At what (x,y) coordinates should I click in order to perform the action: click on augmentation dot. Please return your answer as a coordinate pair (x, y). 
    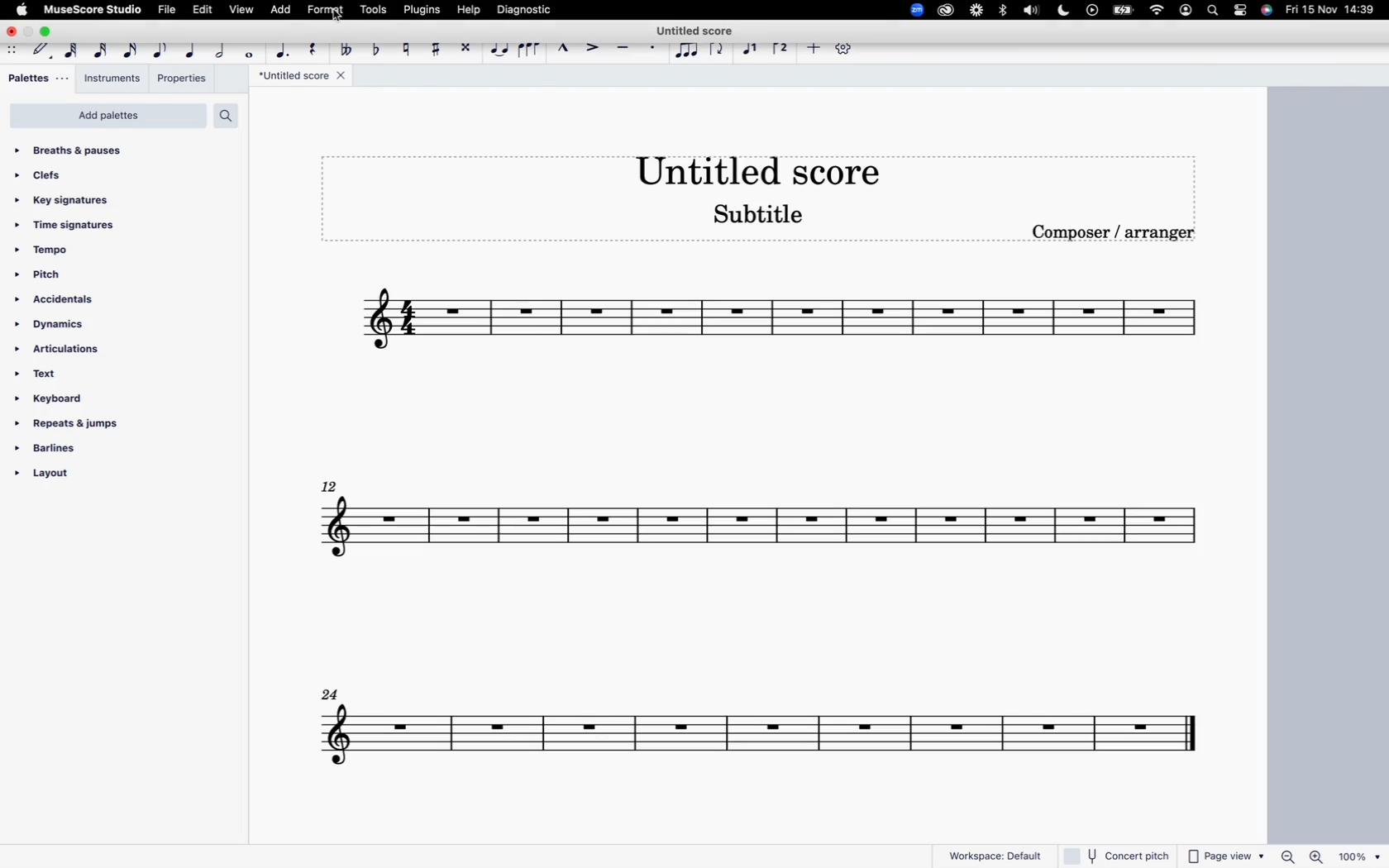
    Looking at the image, I should click on (283, 51).